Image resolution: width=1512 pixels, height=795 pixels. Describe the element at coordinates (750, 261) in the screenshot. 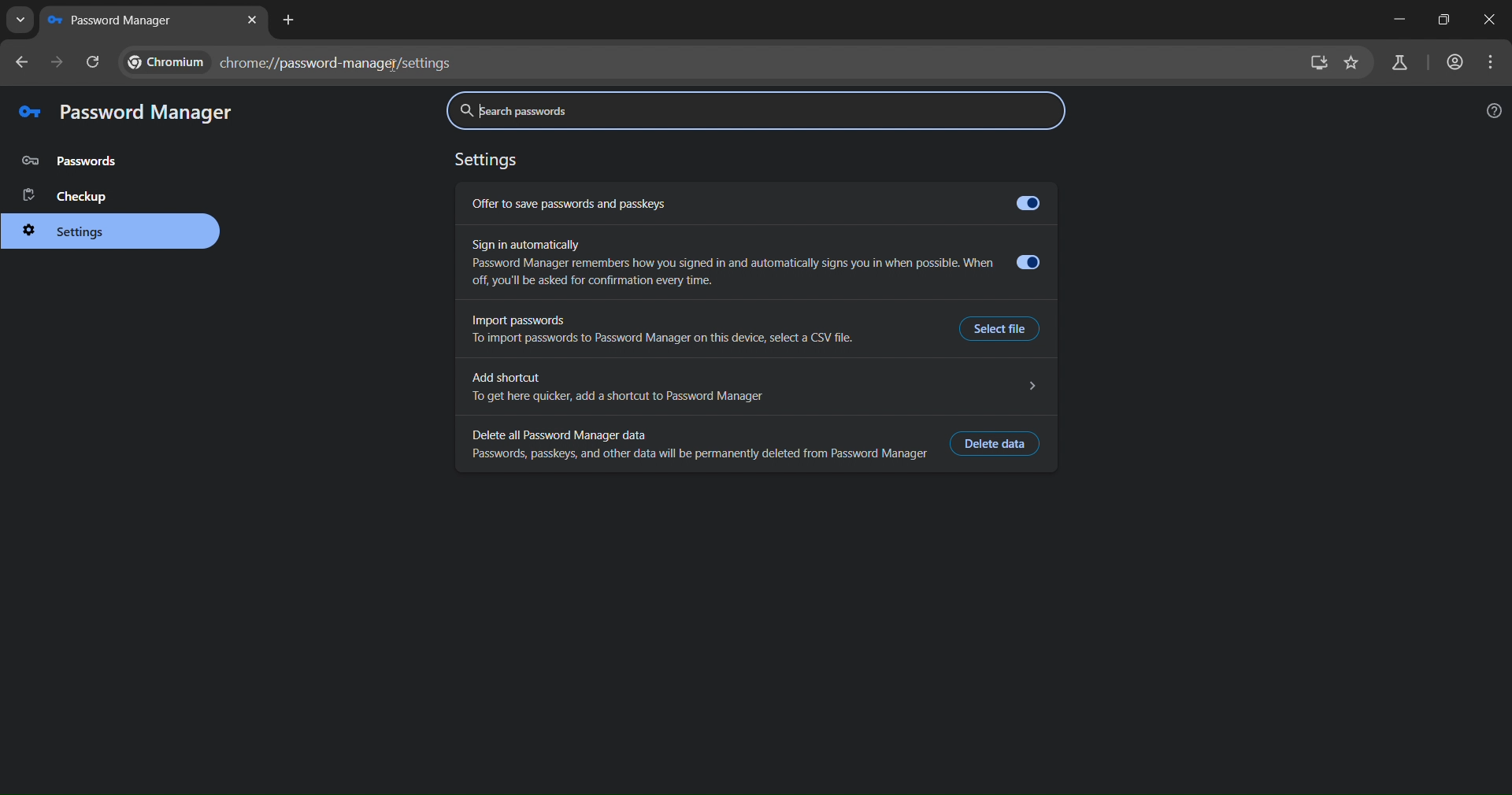

I see `Sign in automaticallyPassword Manager remembers how you signed in and automatically signs you in when possible. Whereoff, you'll be asked for confirmation every time.` at that location.